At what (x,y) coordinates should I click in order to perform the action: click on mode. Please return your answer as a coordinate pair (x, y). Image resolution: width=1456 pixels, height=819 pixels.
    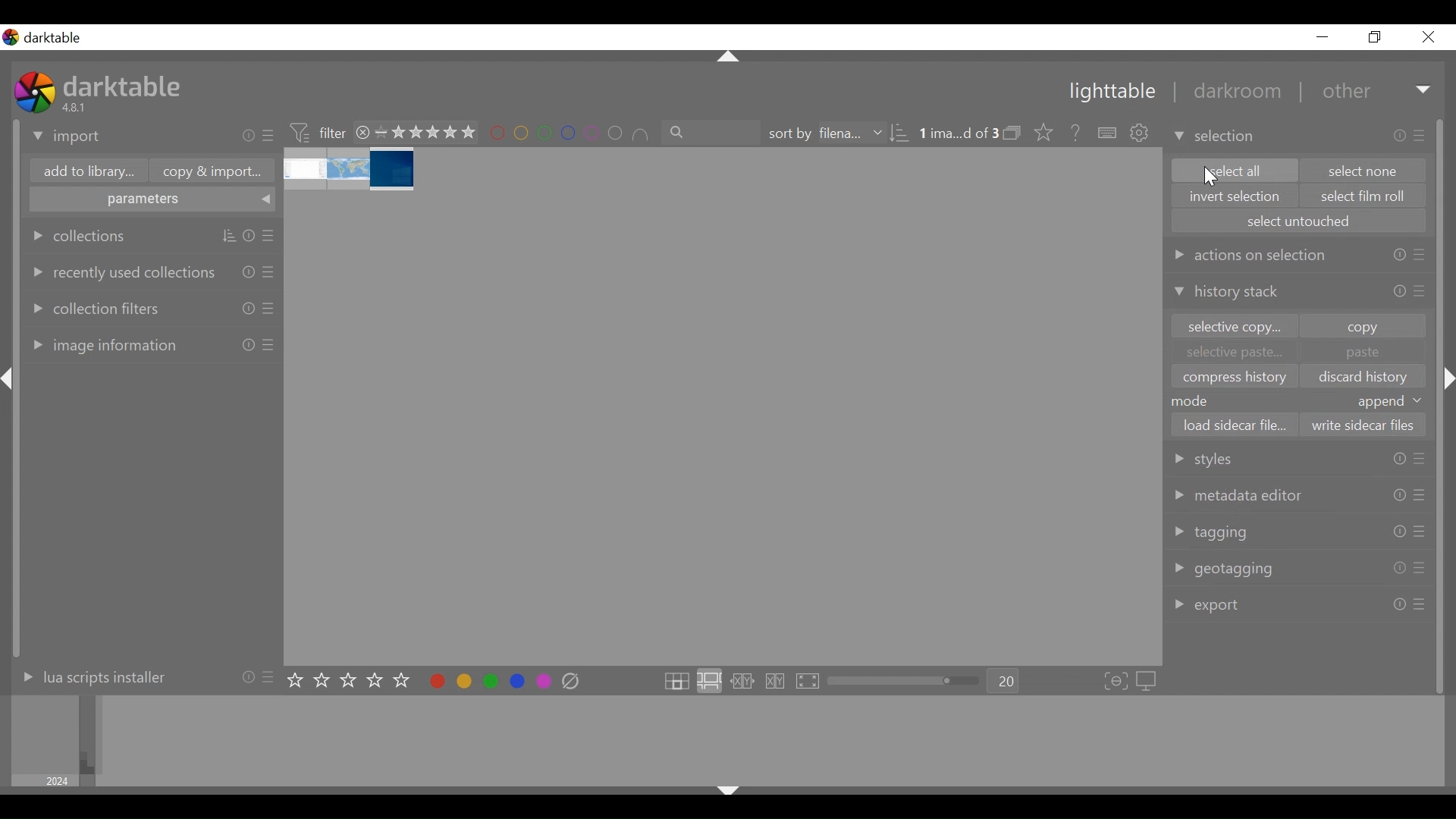
    Looking at the image, I should click on (1197, 400).